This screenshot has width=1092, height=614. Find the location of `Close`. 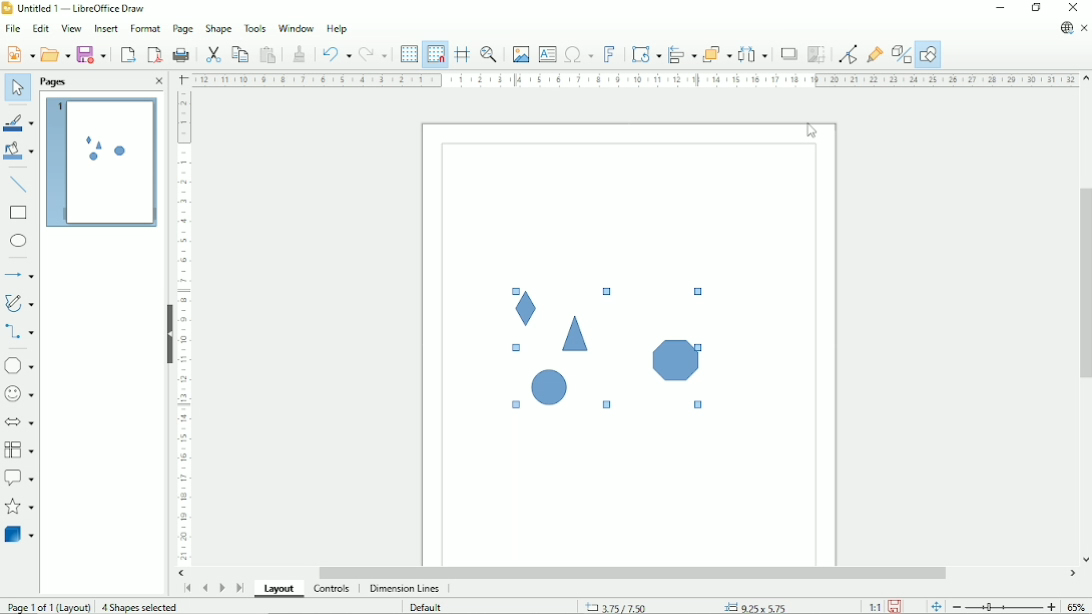

Close is located at coordinates (1076, 8).